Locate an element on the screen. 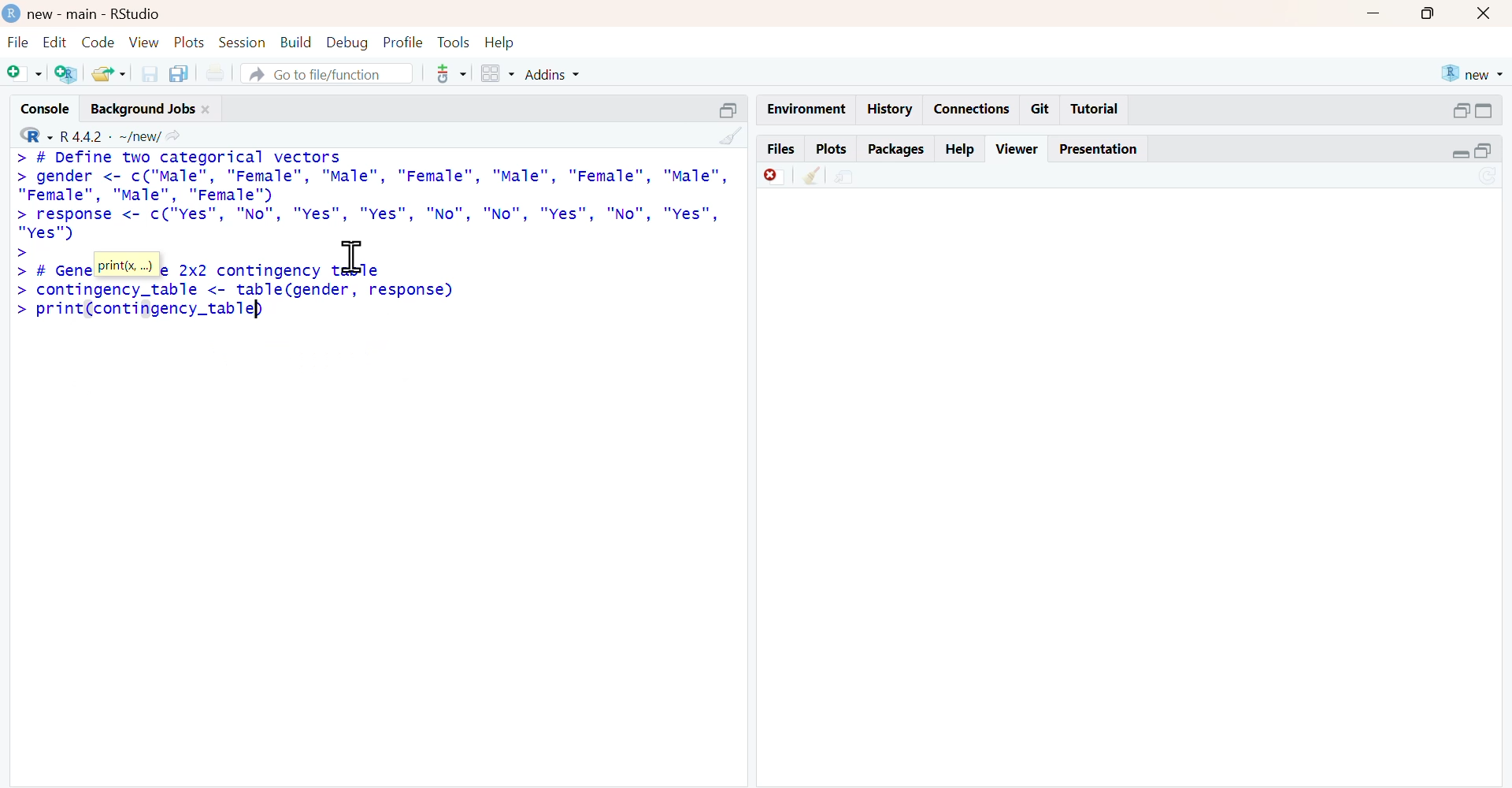 Image resolution: width=1512 pixels, height=788 pixels. history is located at coordinates (891, 108).